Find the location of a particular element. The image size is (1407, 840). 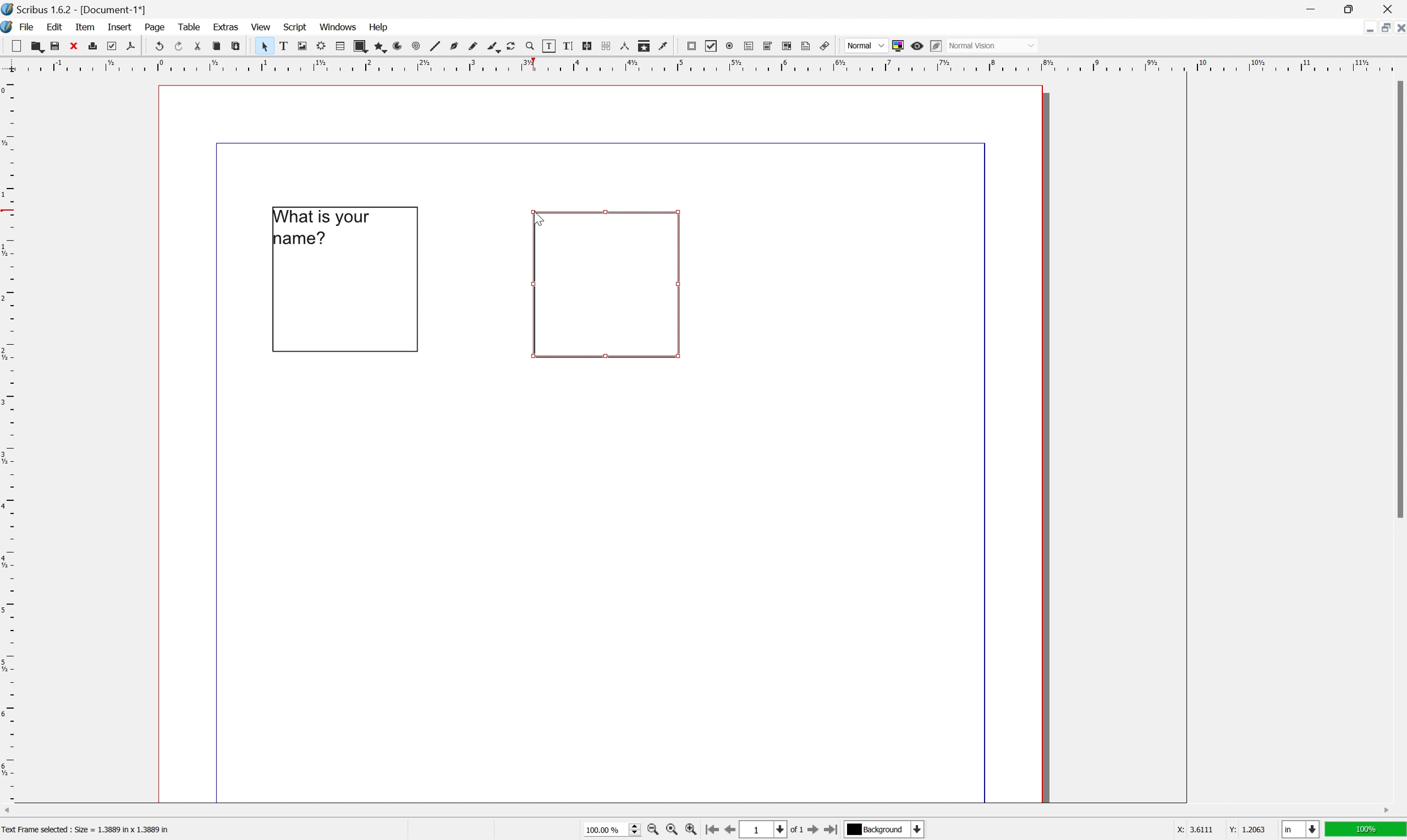

text frame is located at coordinates (282, 46).